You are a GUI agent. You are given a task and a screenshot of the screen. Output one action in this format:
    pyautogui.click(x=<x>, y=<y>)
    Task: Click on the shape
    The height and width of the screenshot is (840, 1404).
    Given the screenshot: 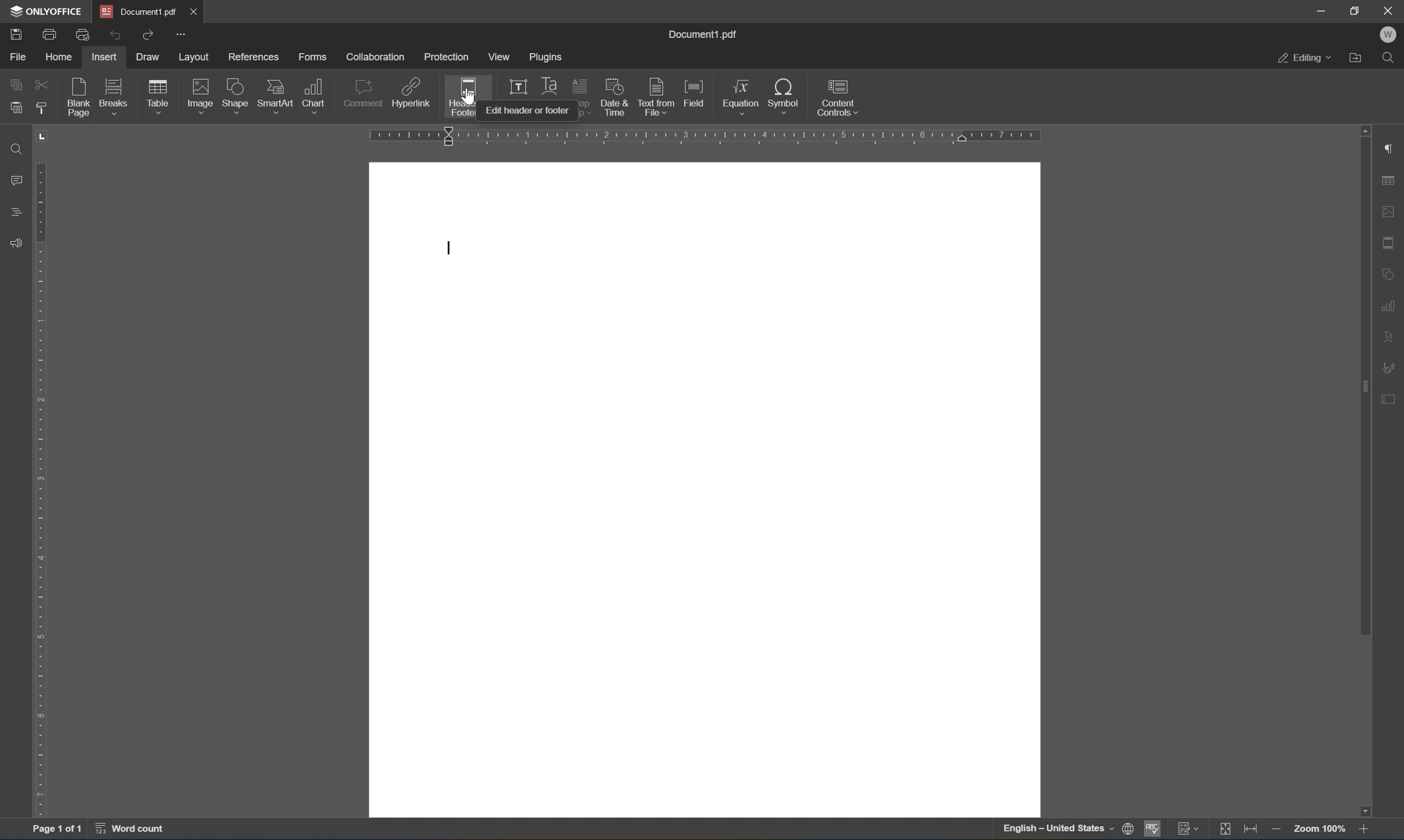 What is the action you would take?
    pyautogui.click(x=236, y=96)
    